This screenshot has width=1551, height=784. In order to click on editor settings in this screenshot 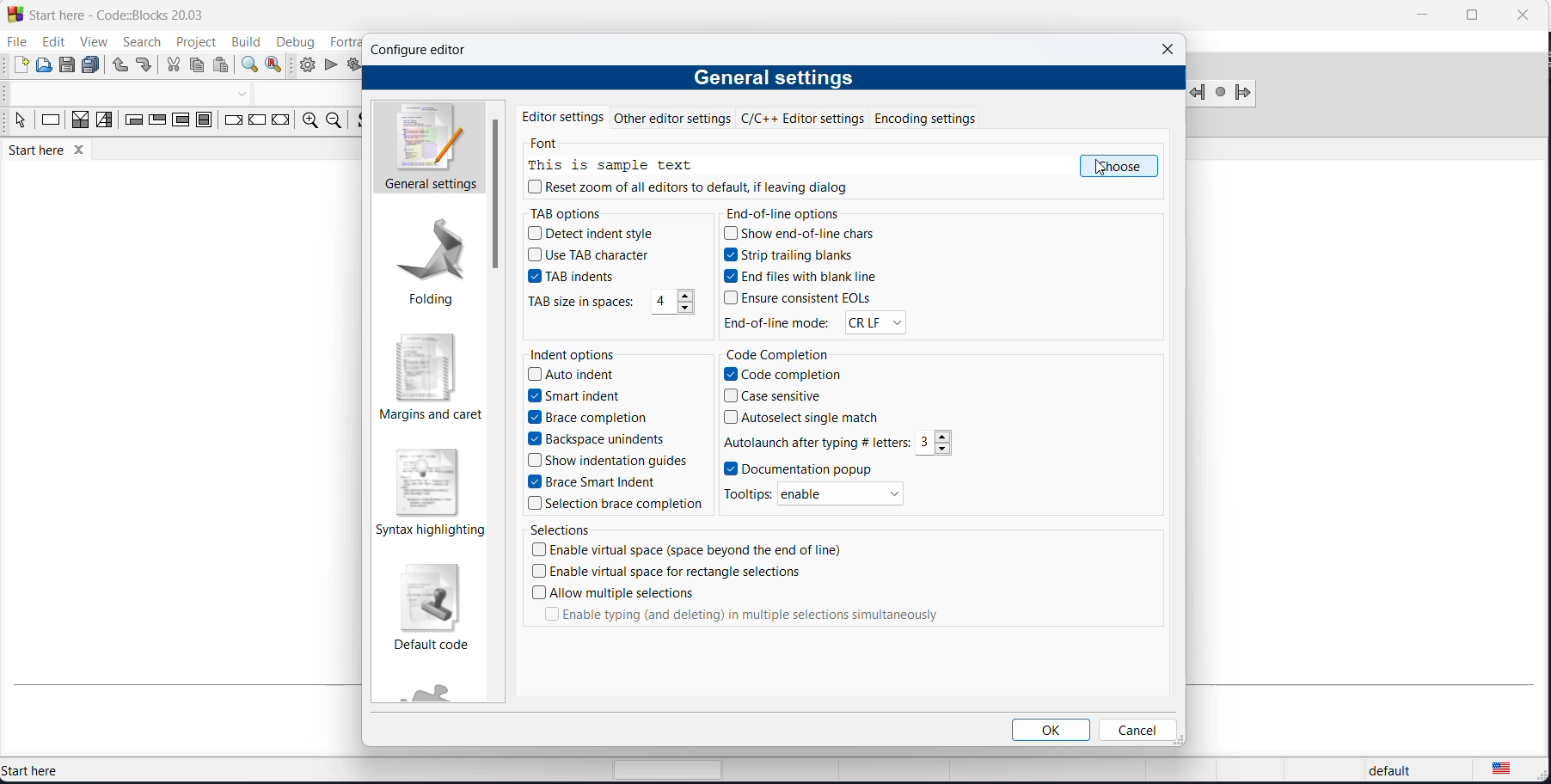, I will do `click(563, 115)`.